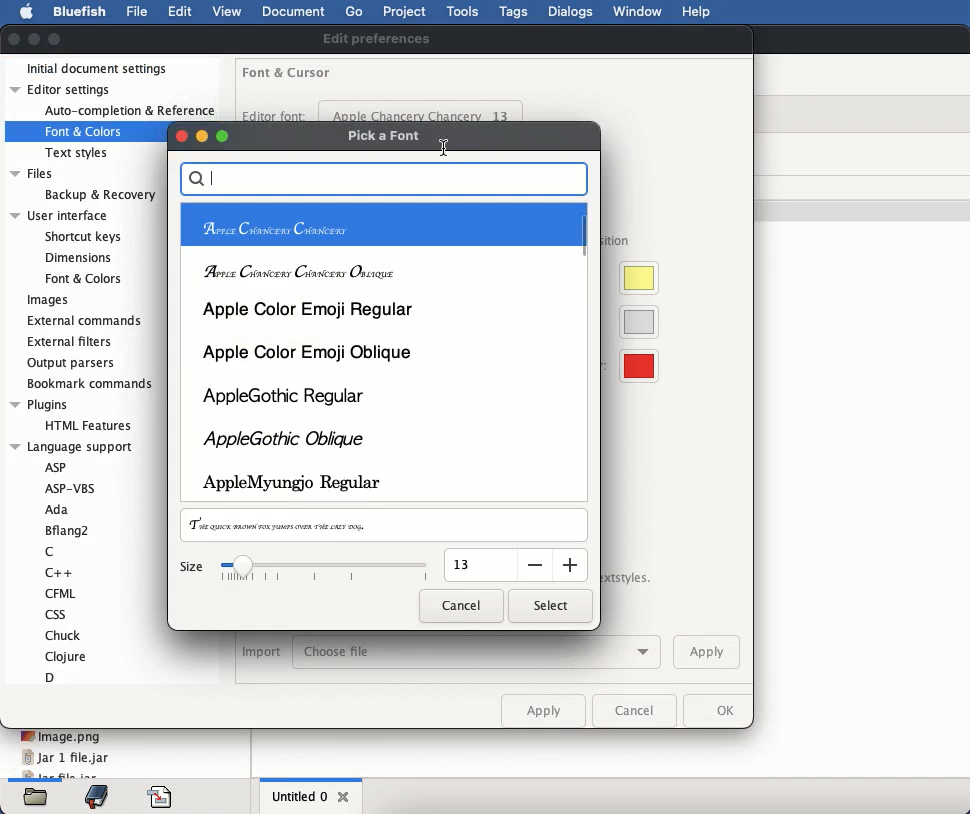 The image size is (970, 814). Describe the element at coordinates (76, 153) in the screenshot. I see `Text styles` at that location.